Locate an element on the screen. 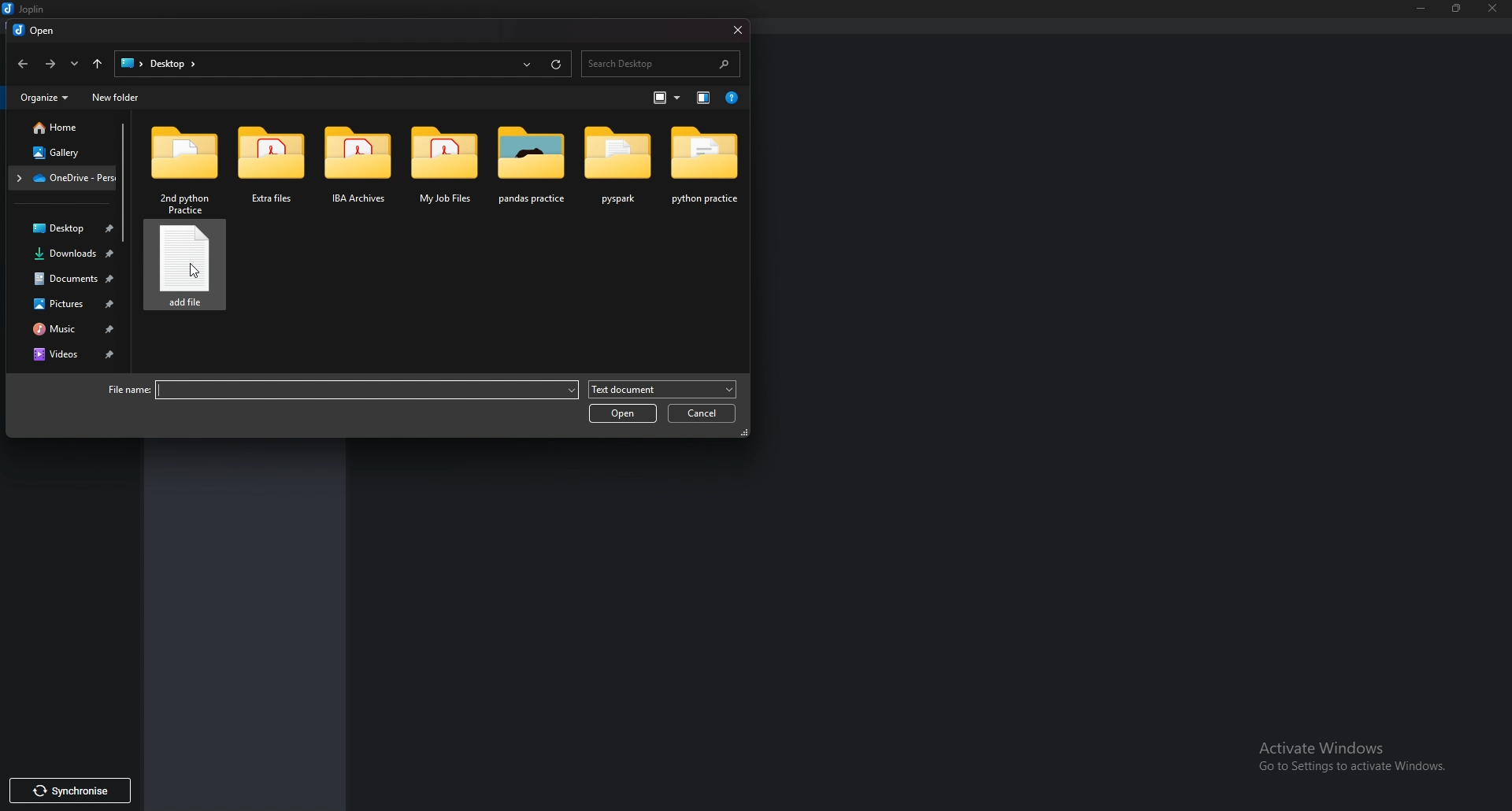  help is located at coordinates (733, 98).